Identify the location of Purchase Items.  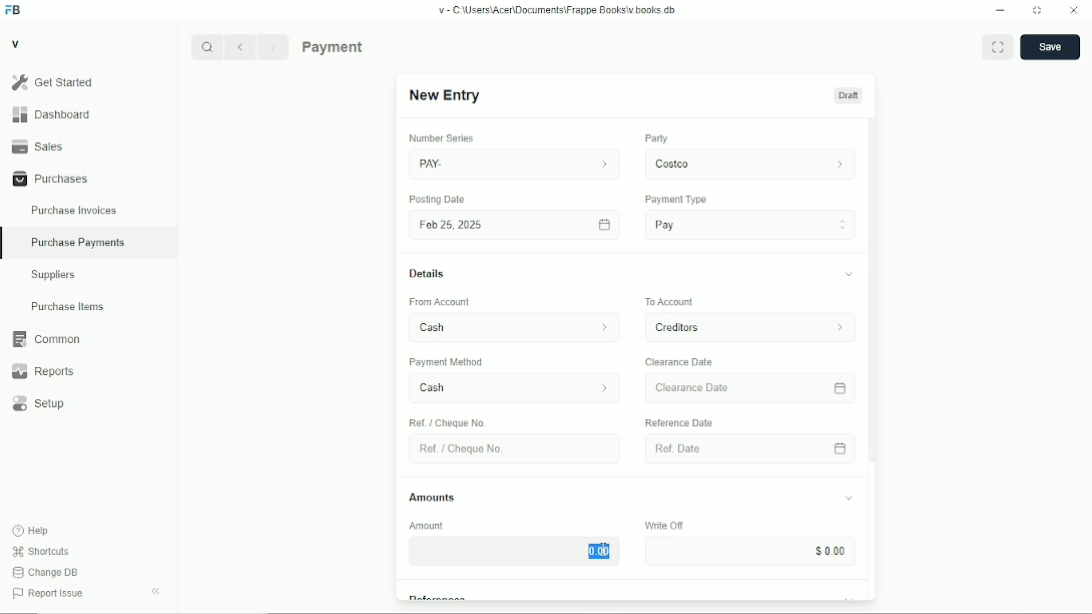
(88, 306).